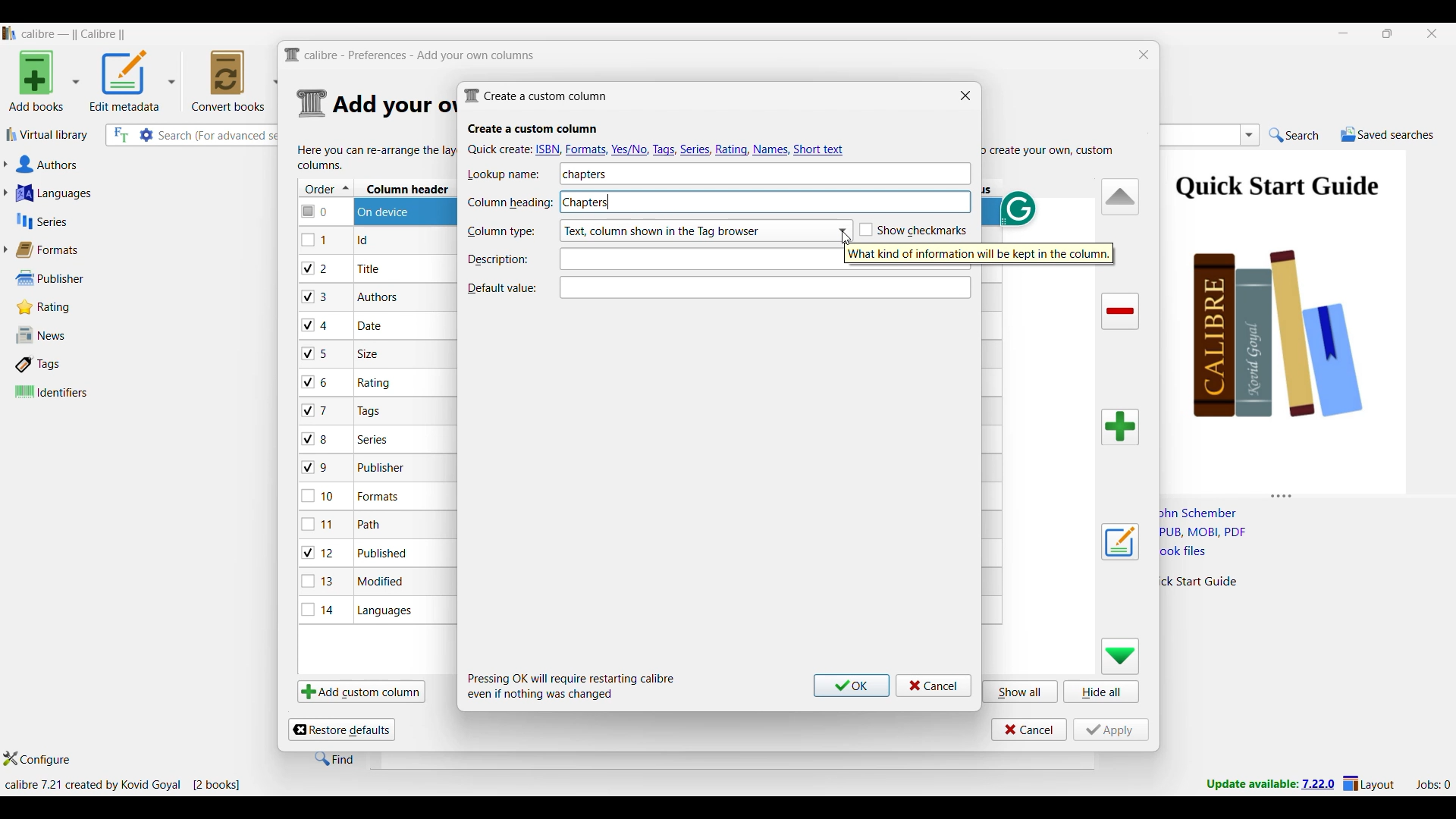  I want to click on Software logo, so click(10, 33).